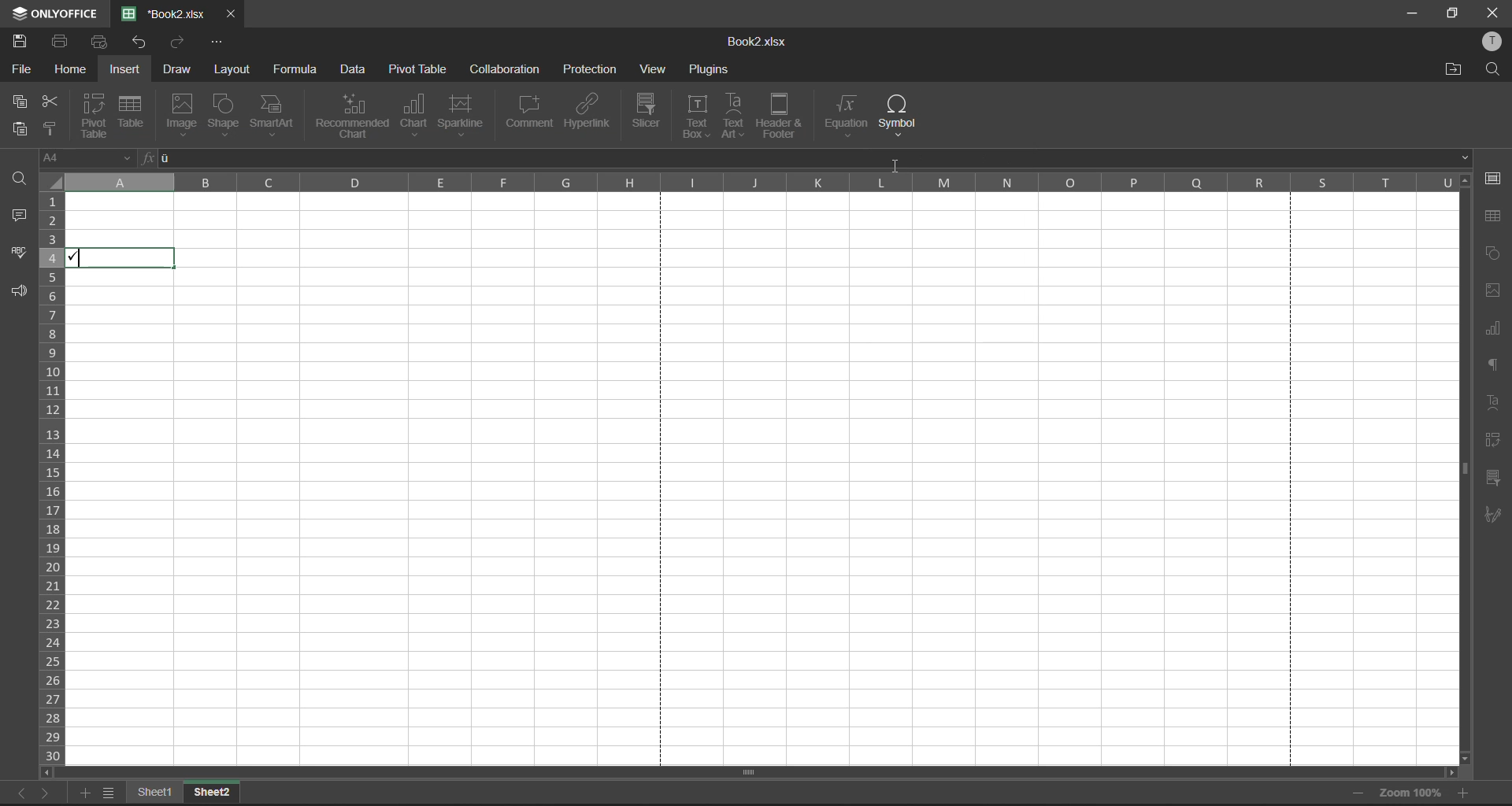  I want to click on slicer, so click(650, 113).